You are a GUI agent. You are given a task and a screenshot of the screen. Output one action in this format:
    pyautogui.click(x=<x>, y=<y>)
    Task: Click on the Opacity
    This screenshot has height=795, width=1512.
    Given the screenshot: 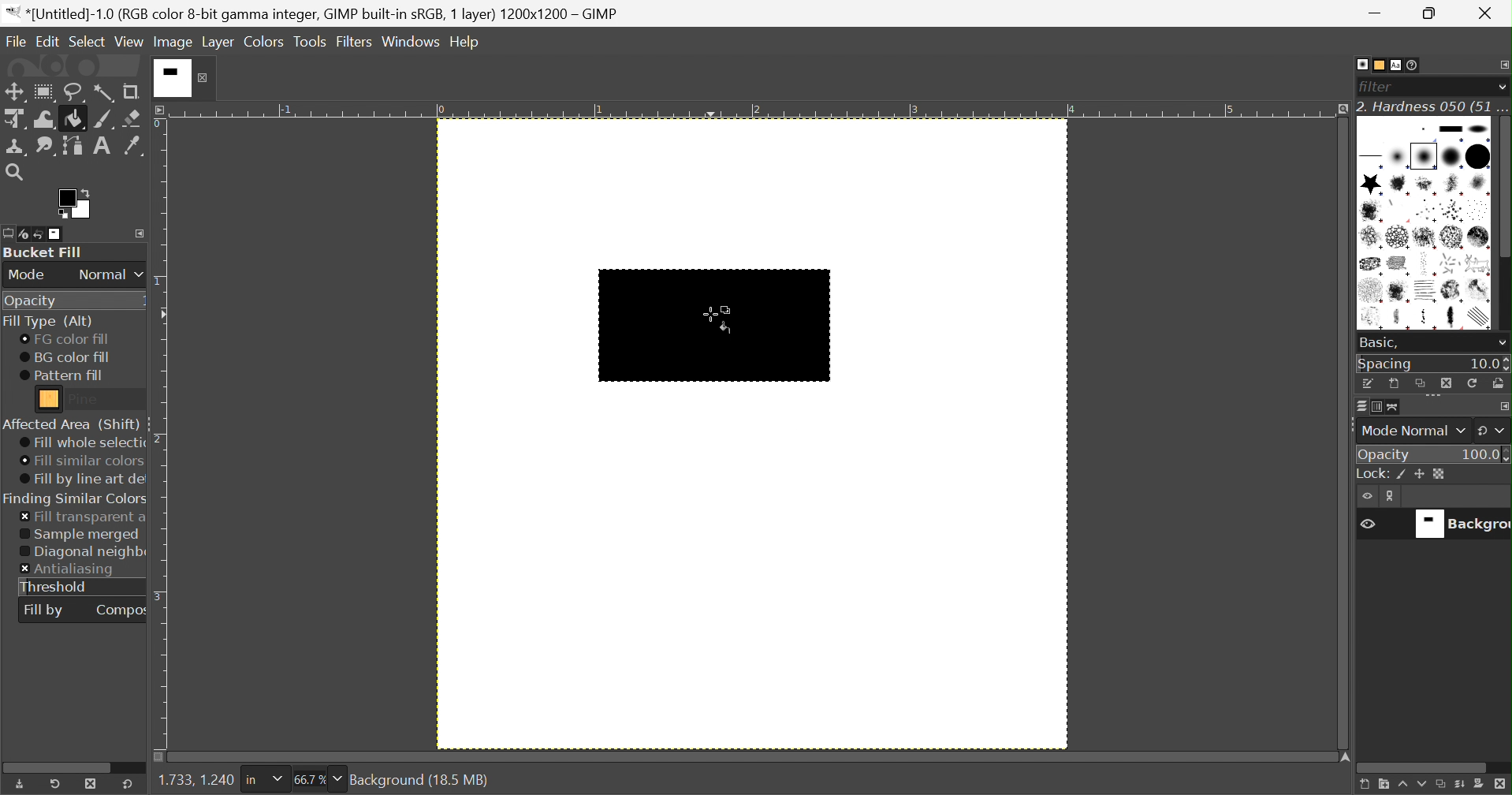 What is the action you would take?
    pyautogui.click(x=1386, y=454)
    